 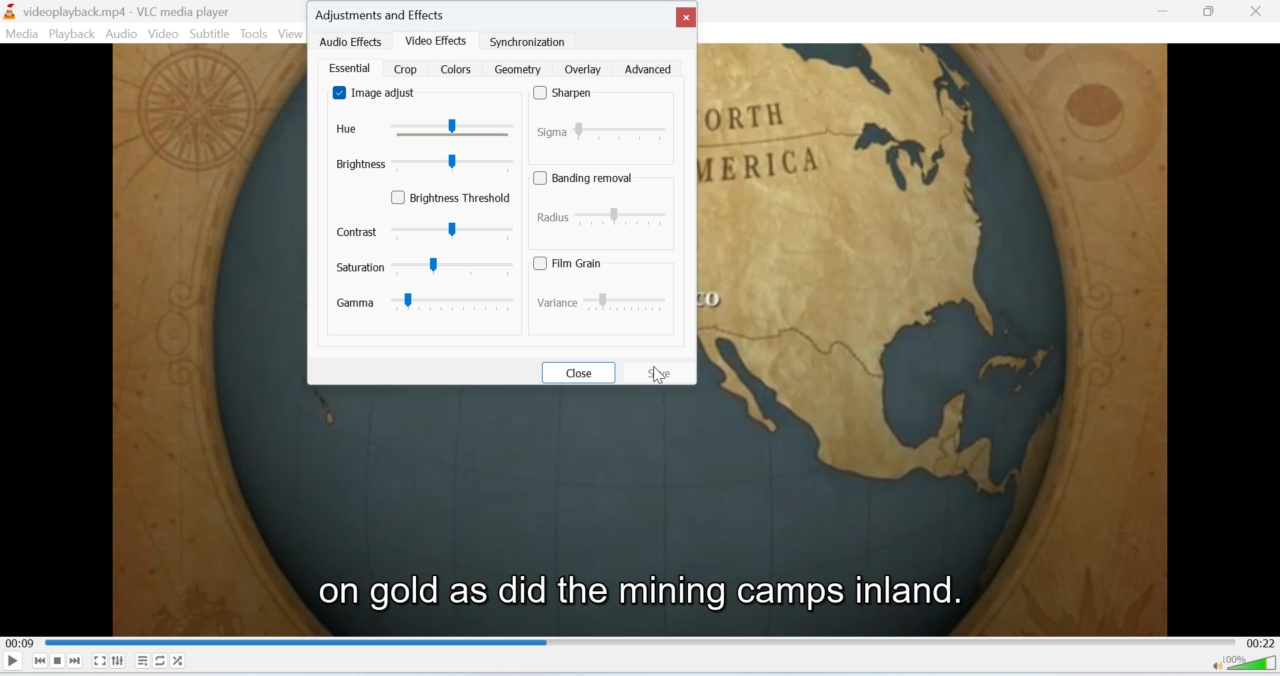 What do you see at coordinates (122, 33) in the screenshot?
I see `Audio` at bounding box center [122, 33].